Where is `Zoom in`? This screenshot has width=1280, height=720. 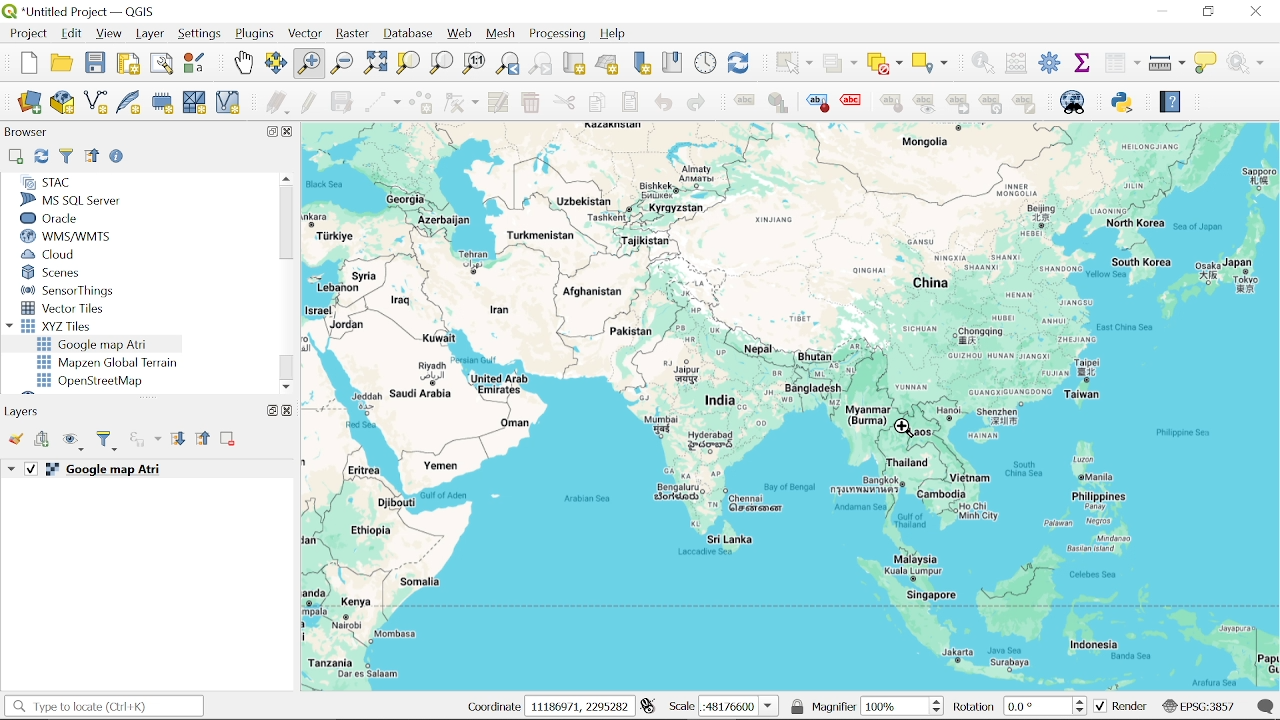
Zoom in is located at coordinates (308, 64).